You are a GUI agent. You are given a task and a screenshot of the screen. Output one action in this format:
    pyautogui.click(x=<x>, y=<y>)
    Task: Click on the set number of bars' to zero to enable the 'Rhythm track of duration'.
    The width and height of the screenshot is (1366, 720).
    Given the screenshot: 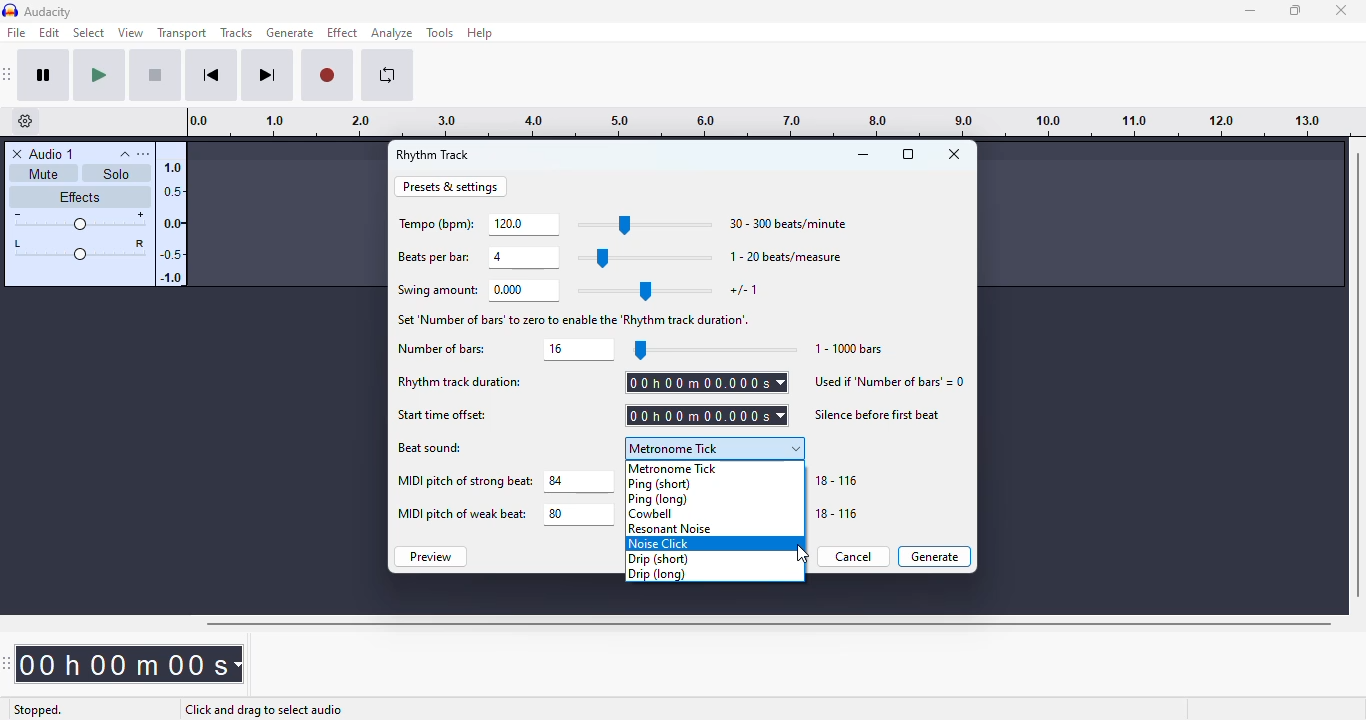 What is the action you would take?
    pyautogui.click(x=575, y=319)
    